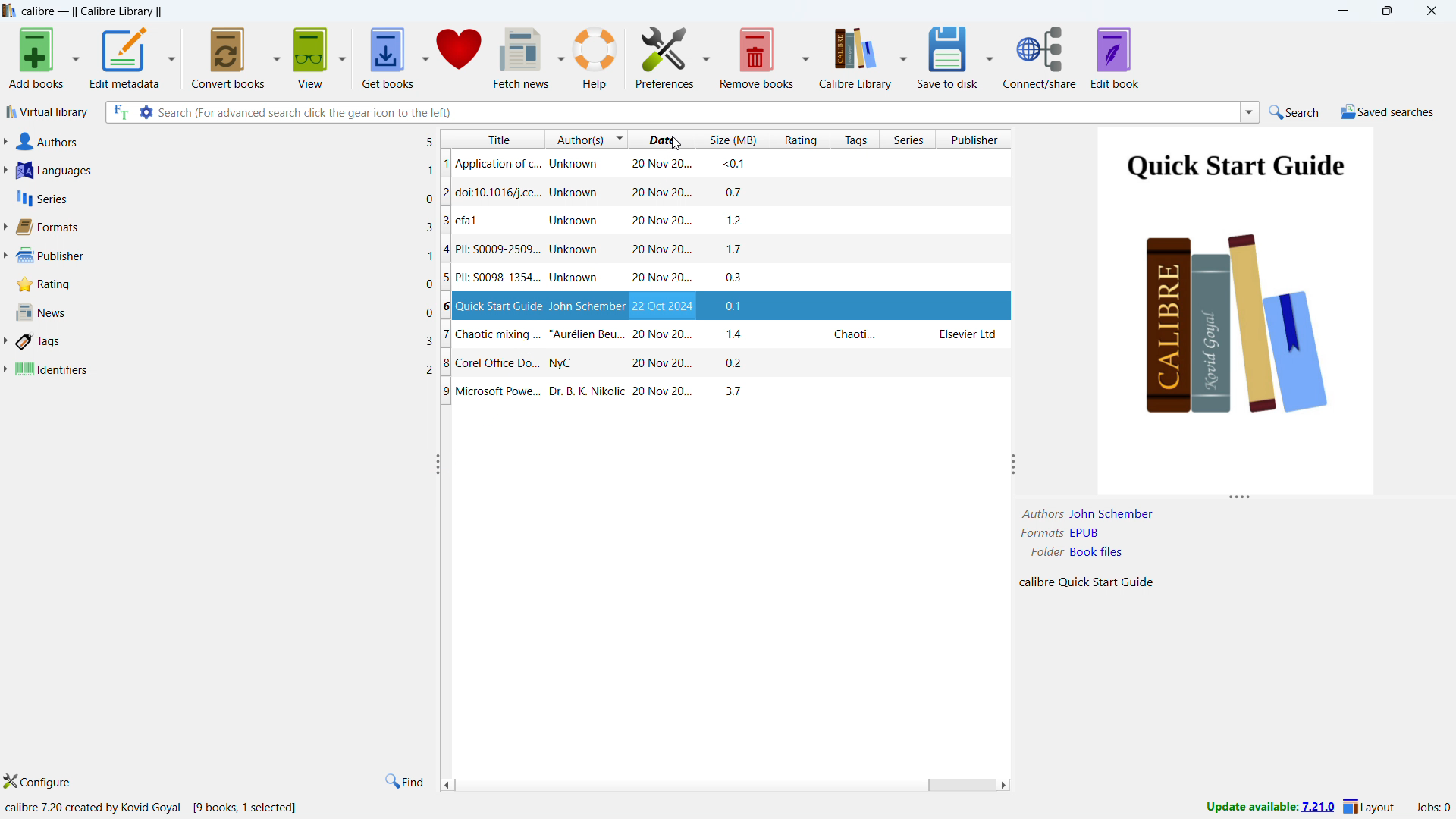 The height and width of the screenshot is (819, 1456). What do you see at coordinates (560, 56) in the screenshot?
I see ` fetch news options` at bounding box center [560, 56].